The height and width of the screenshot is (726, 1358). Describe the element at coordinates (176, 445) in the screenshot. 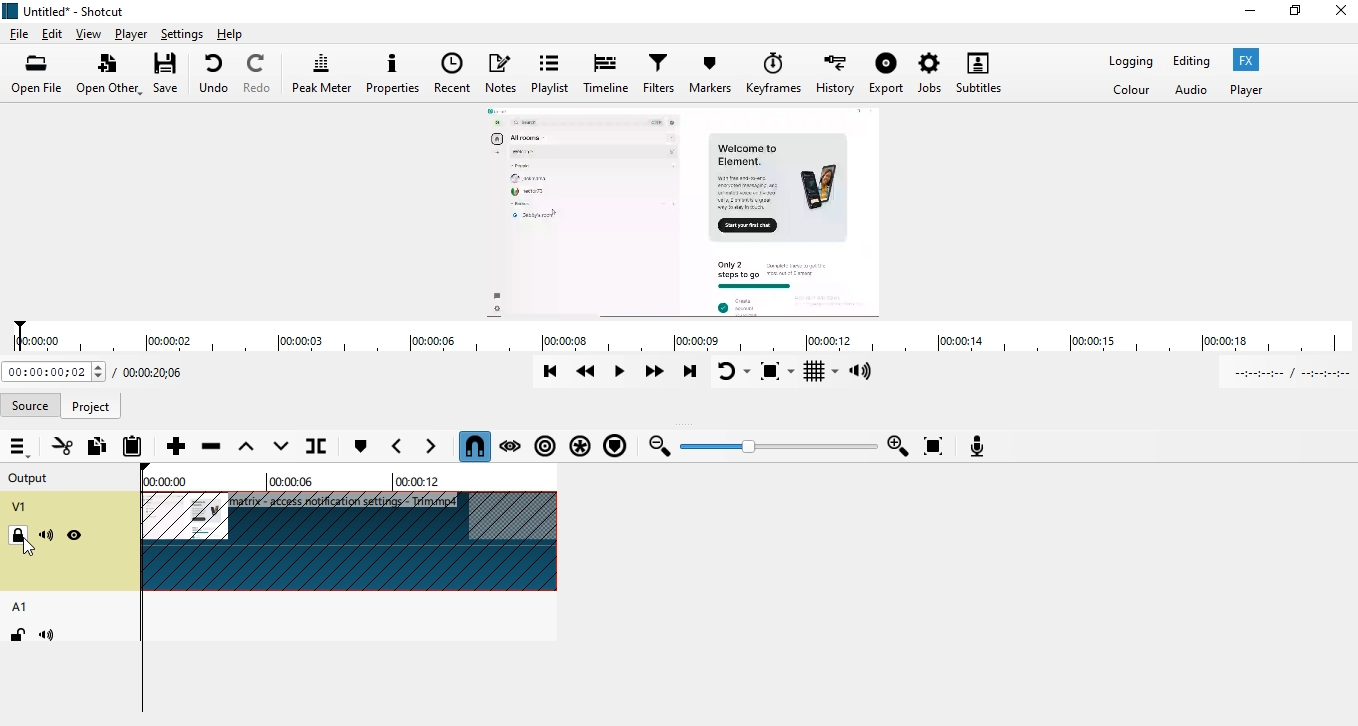

I see `Append` at that location.